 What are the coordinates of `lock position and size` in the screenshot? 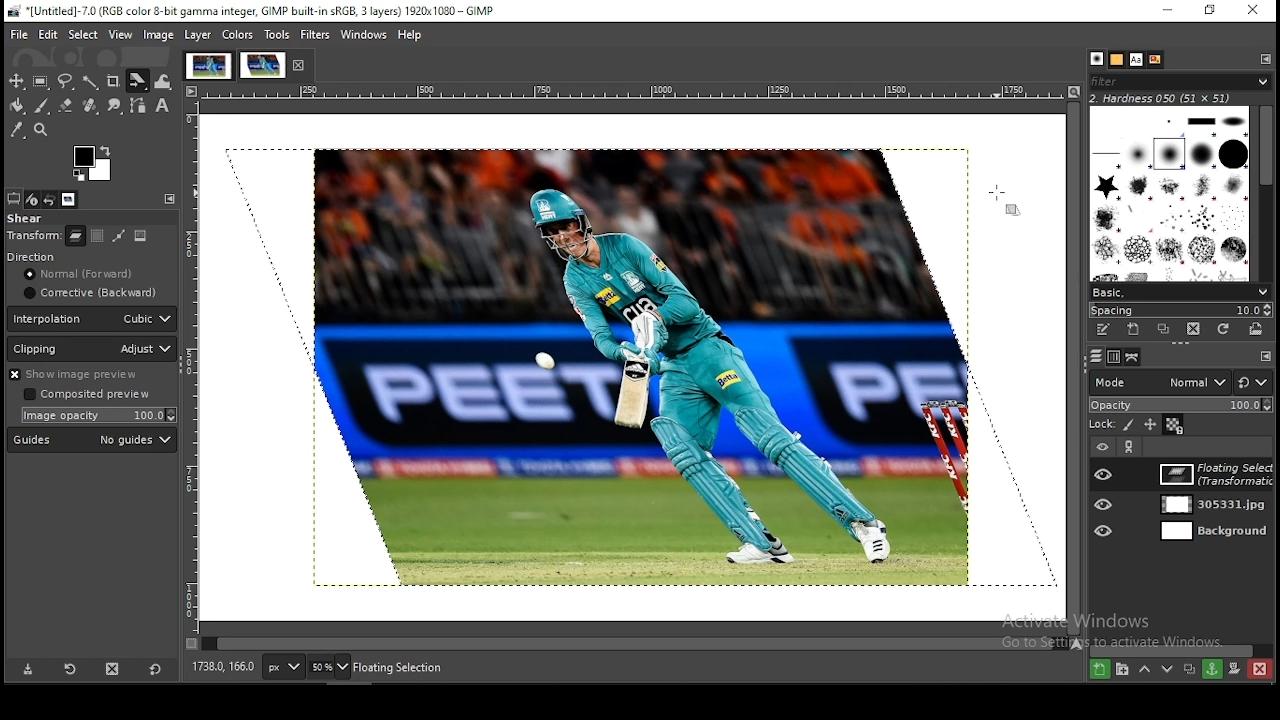 It's located at (1153, 426).